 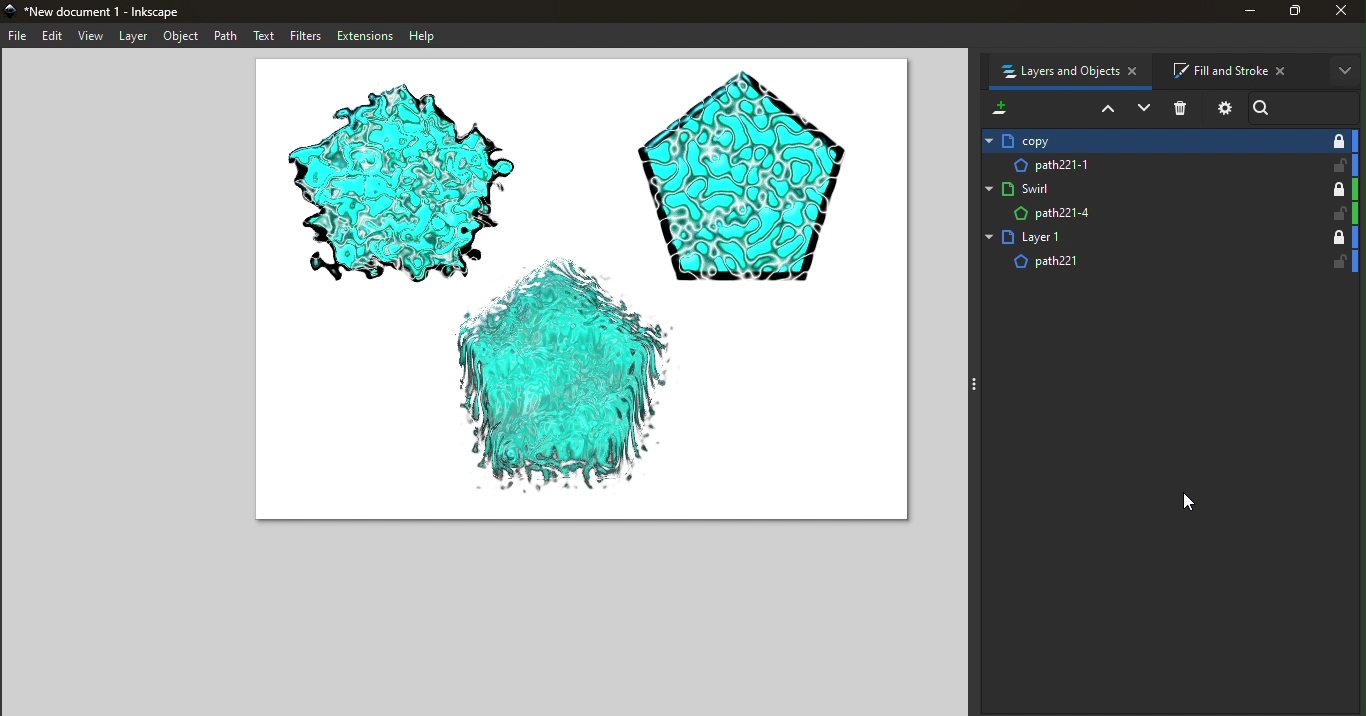 I want to click on Search bar, so click(x=1308, y=106).